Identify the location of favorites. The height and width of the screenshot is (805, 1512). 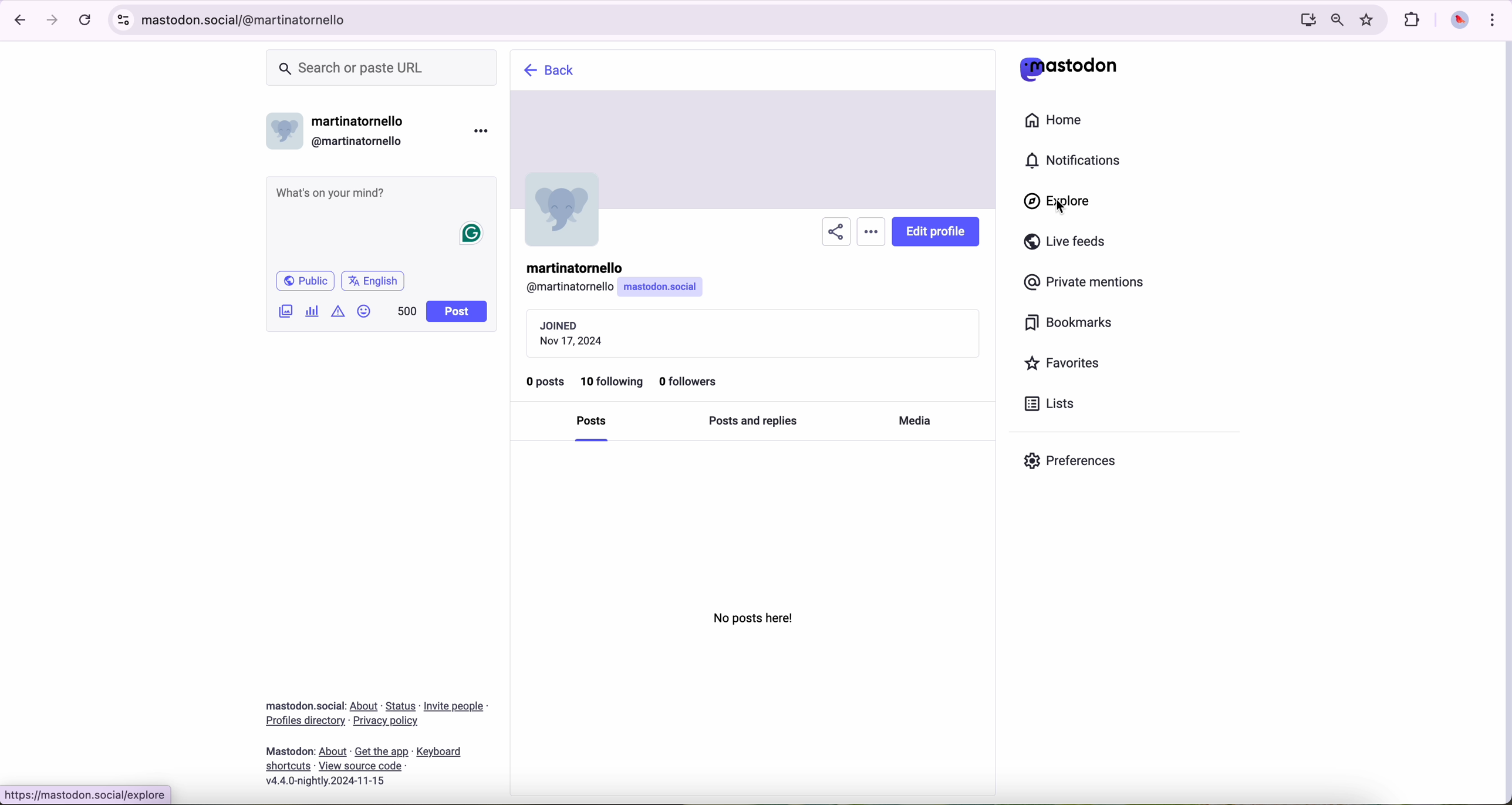
(1064, 363).